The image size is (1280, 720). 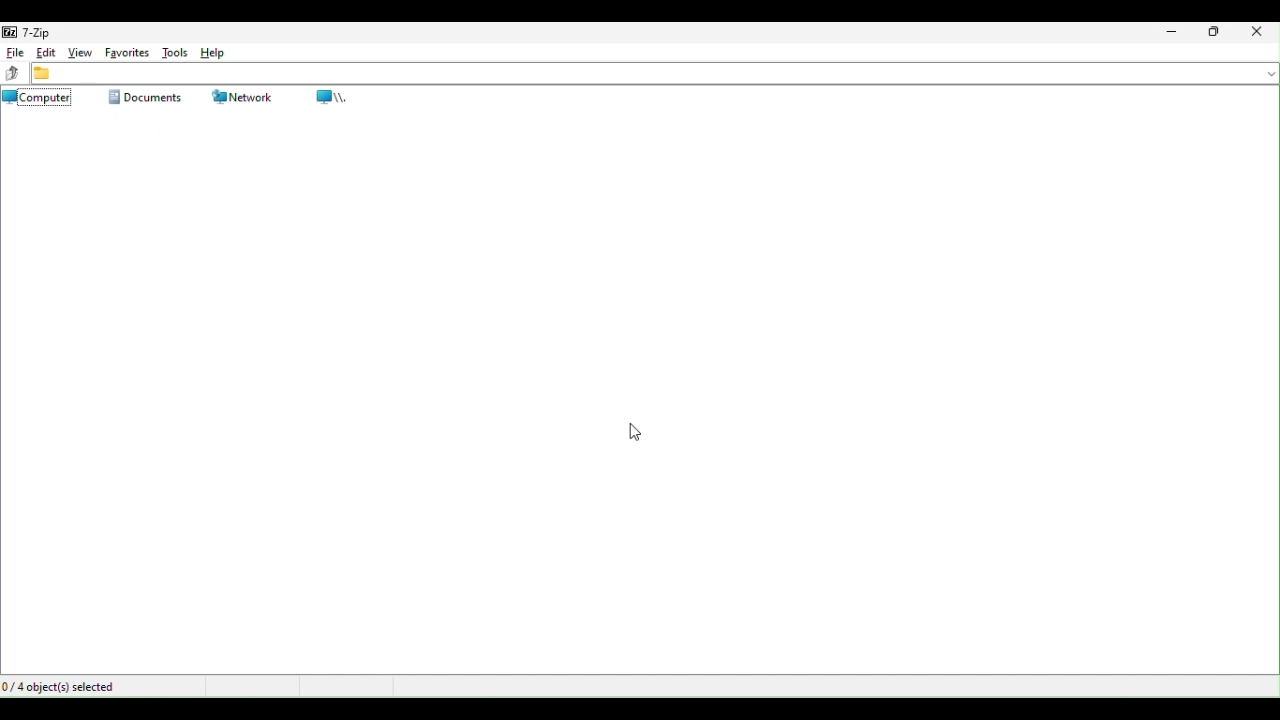 I want to click on up, so click(x=12, y=76).